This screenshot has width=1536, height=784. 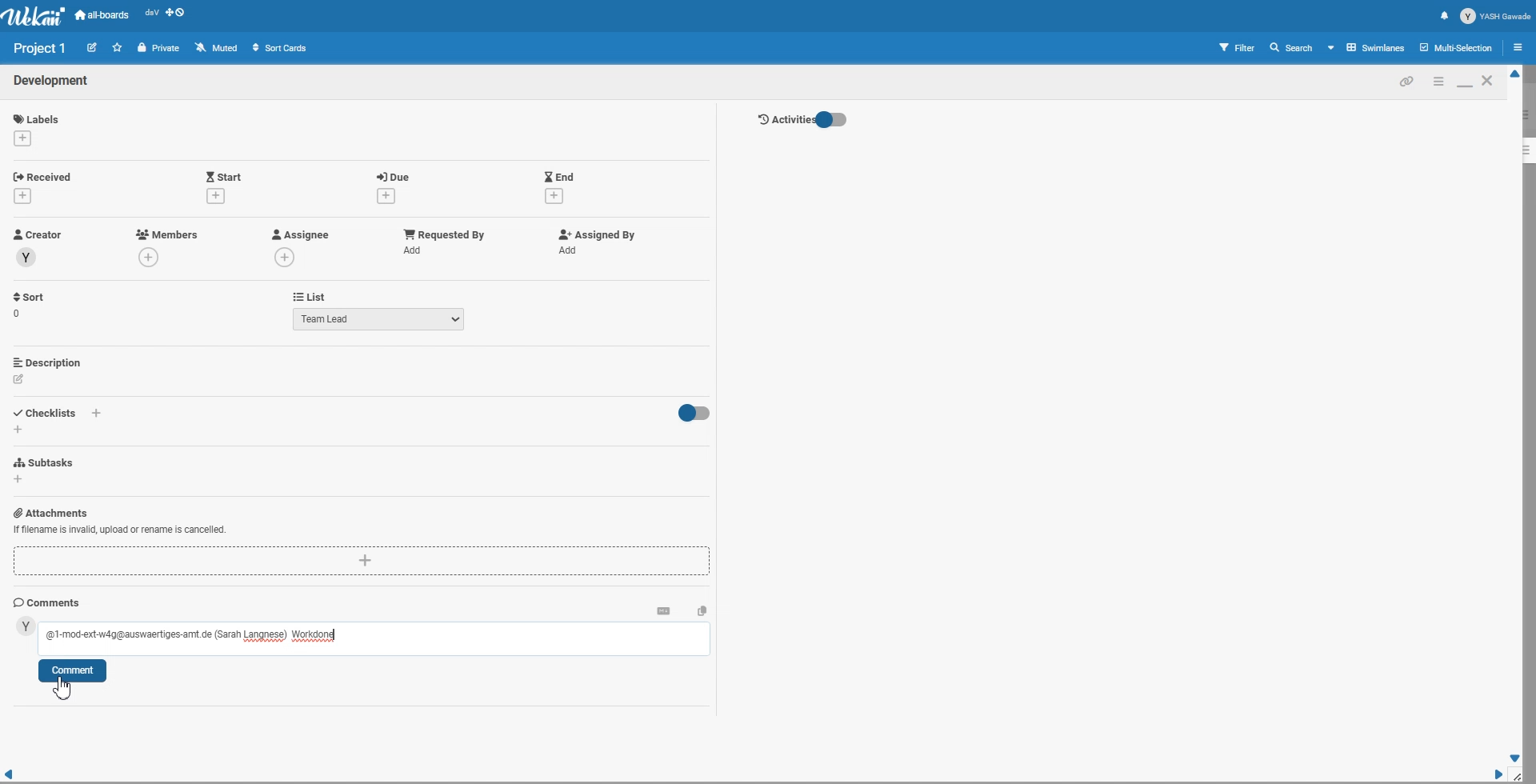 I want to click on Team Lead, so click(x=379, y=318).